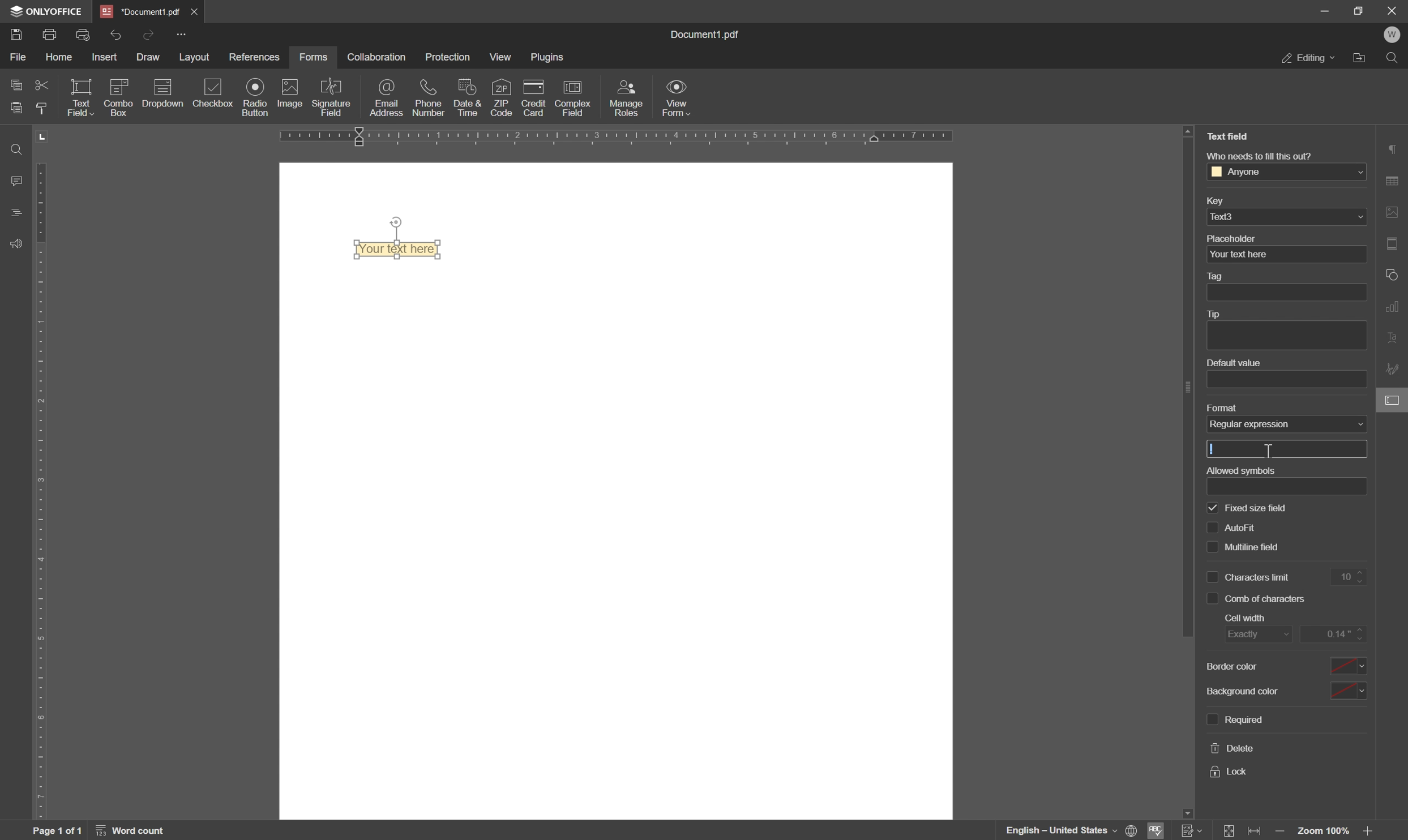 The height and width of the screenshot is (840, 1408). Describe the element at coordinates (1394, 402) in the screenshot. I see `form settings` at that location.